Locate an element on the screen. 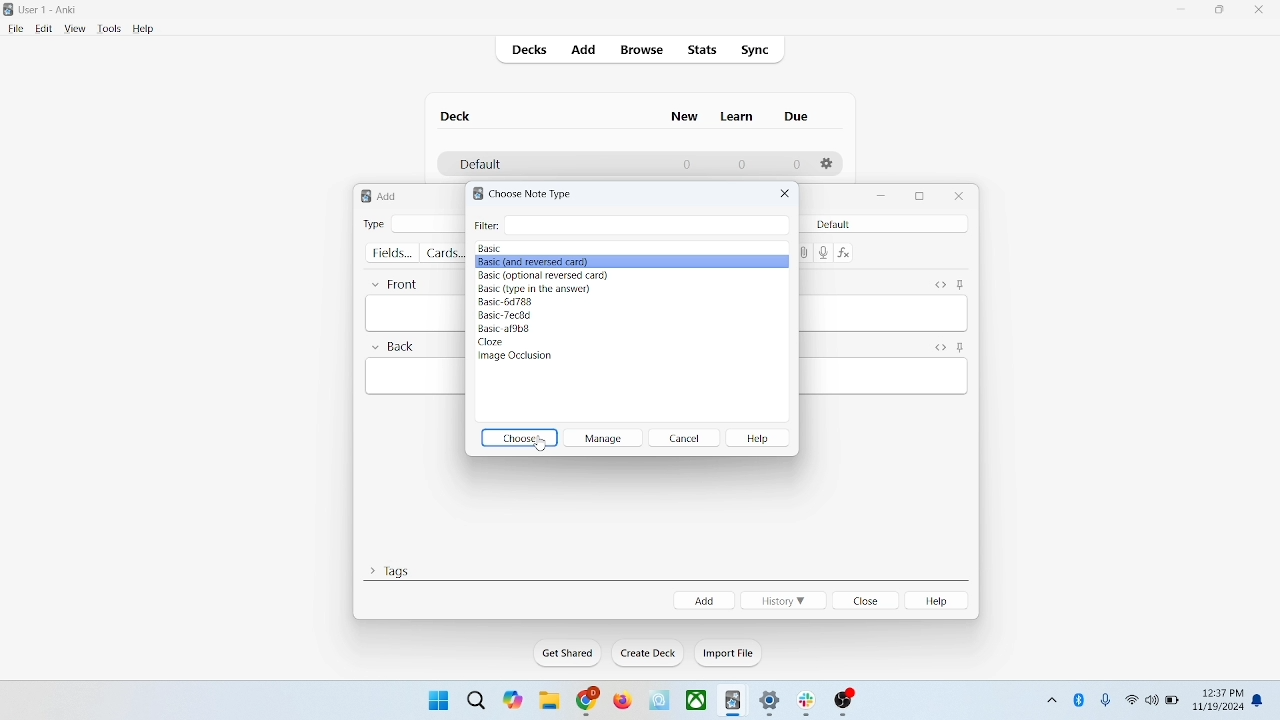  Filter is located at coordinates (633, 223).